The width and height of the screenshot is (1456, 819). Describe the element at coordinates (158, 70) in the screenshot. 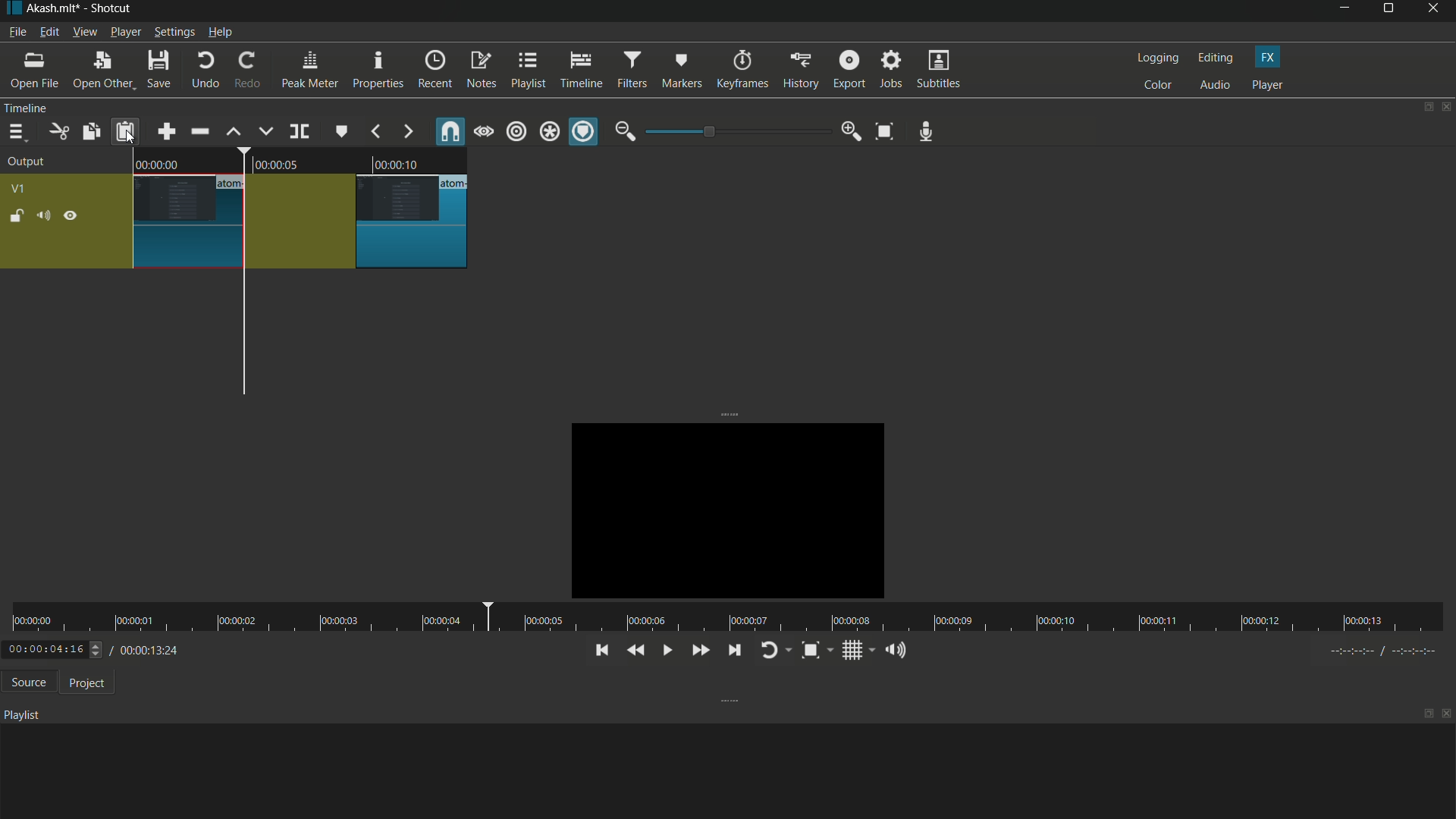

I see `save` at that location.